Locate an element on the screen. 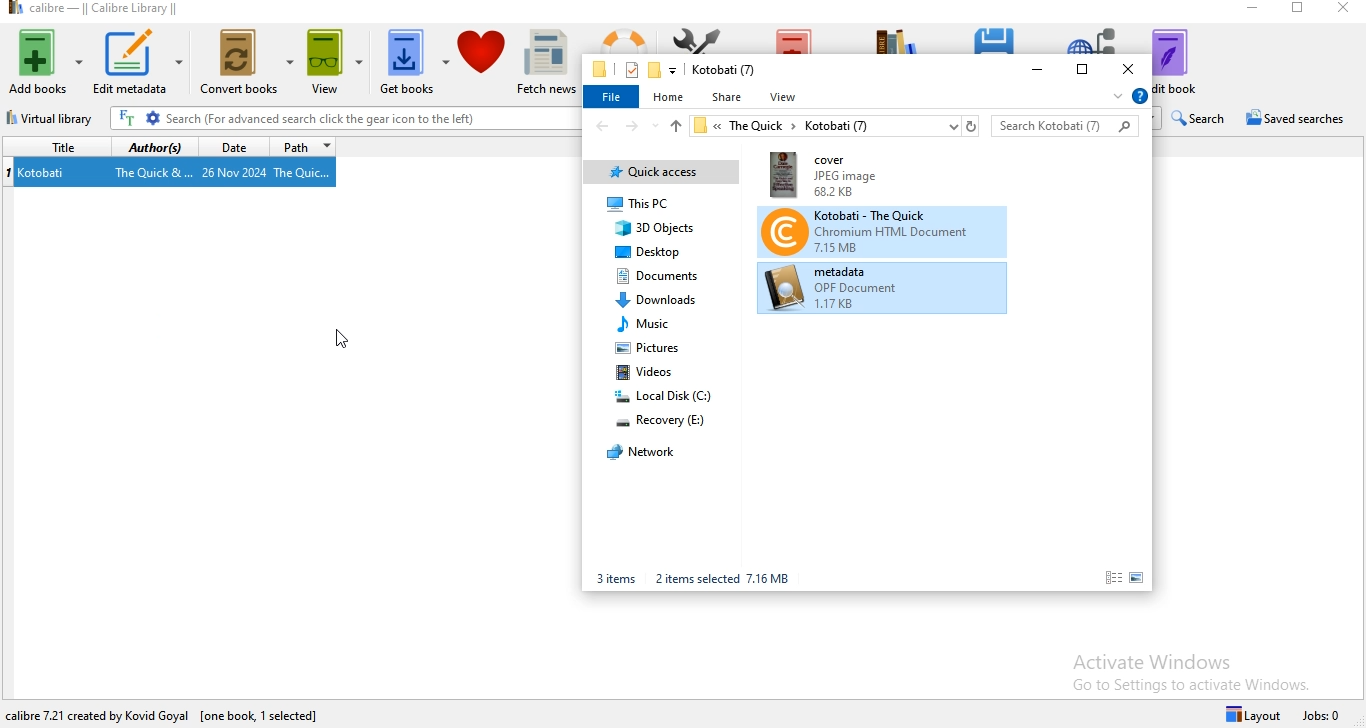 This screenshot has width=1366, height=728. layout is located at coordinates (1250, 713).